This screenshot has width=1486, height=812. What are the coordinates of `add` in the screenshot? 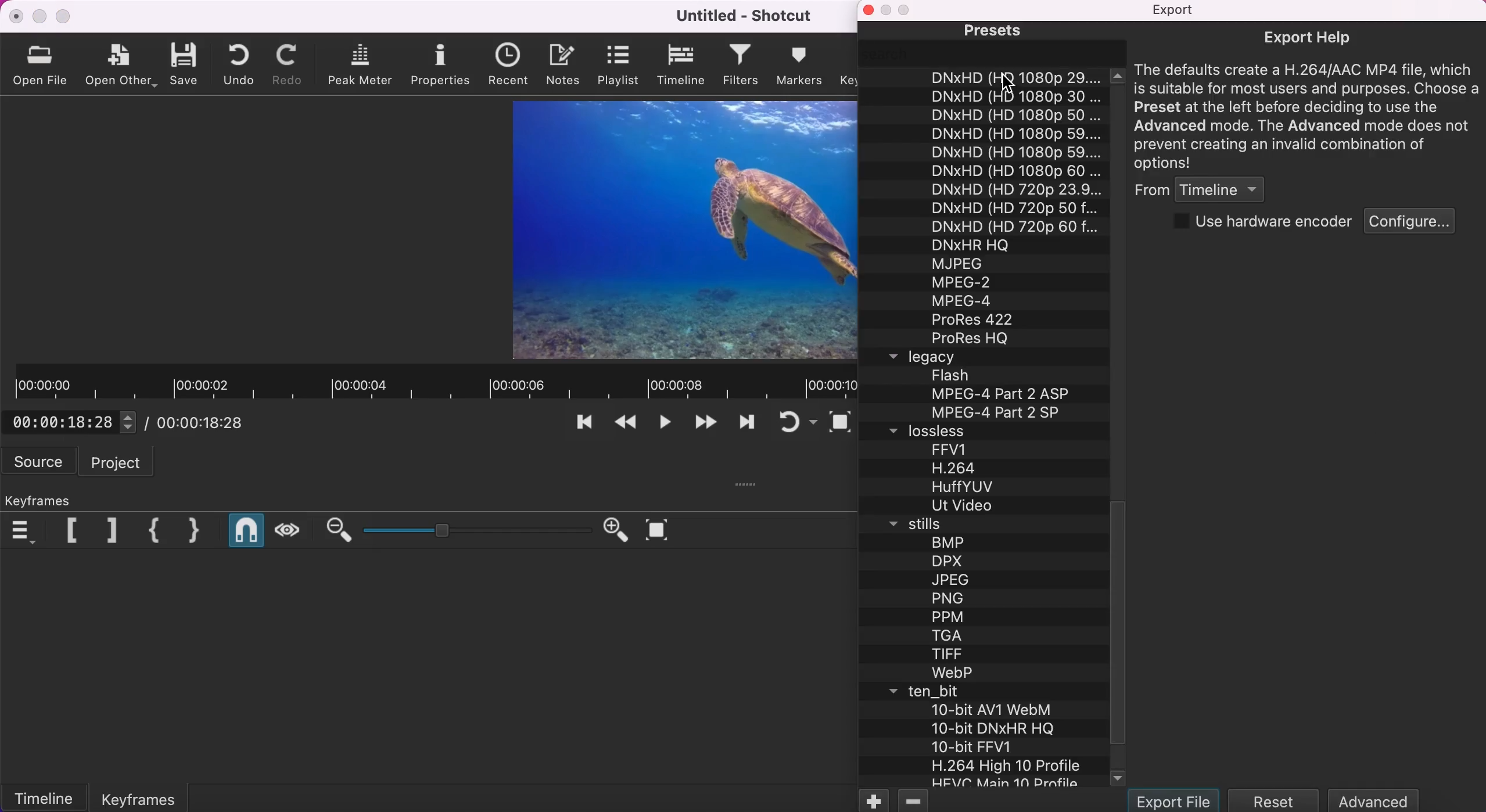 It's located at (874, 799).